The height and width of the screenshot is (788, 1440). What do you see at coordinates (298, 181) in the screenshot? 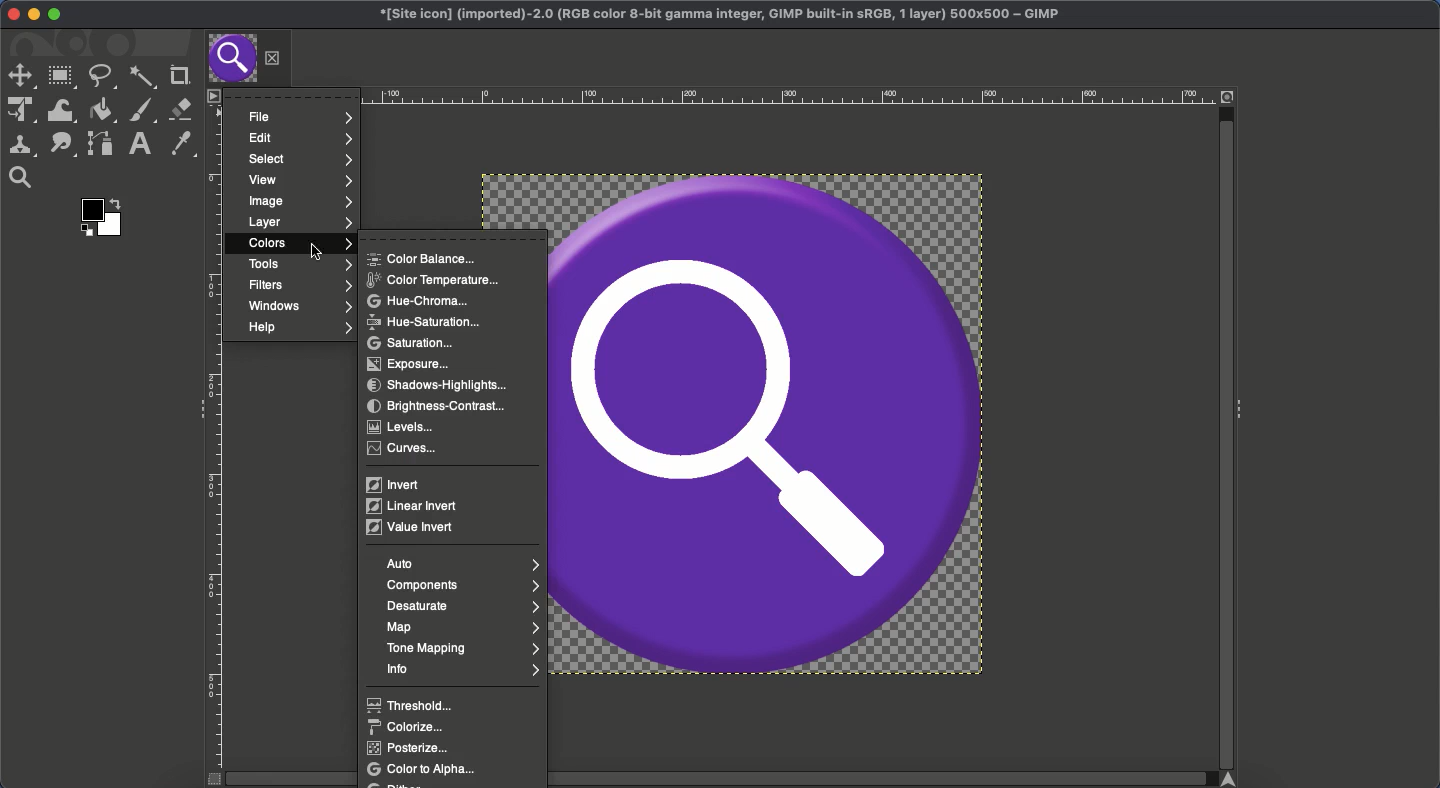
I see `View` at bounding box center [298, 181].